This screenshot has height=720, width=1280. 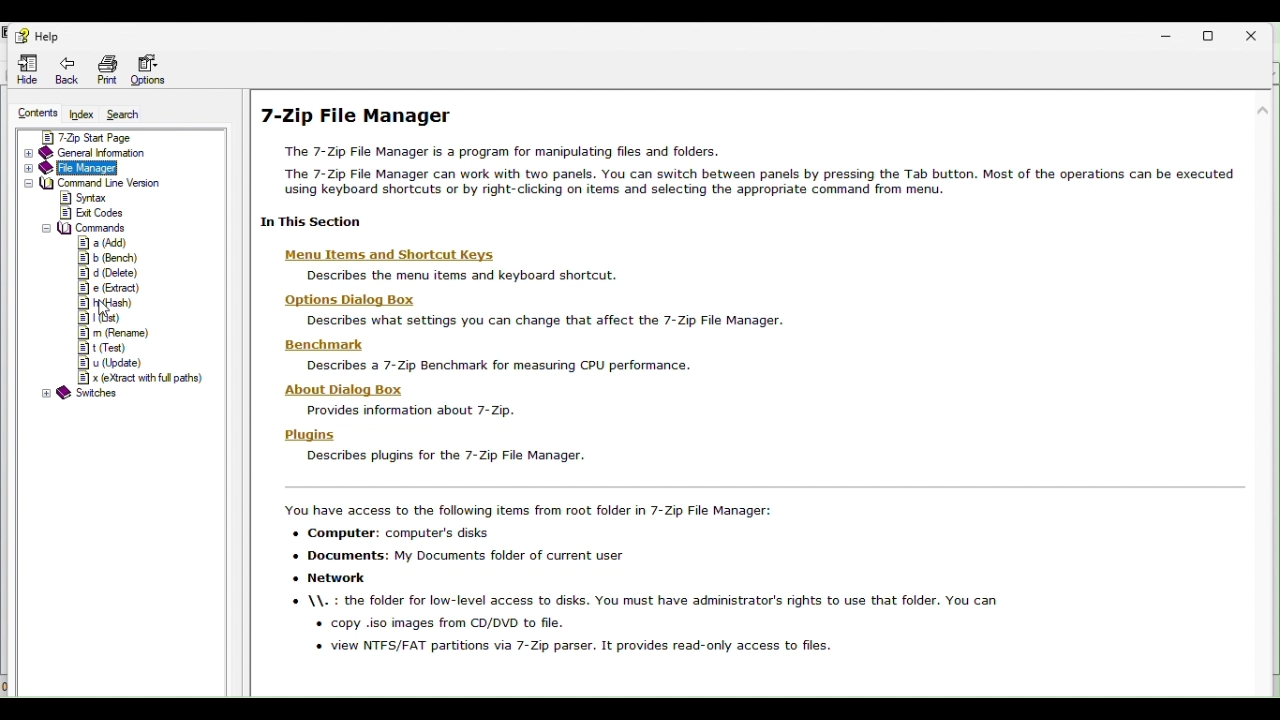 I want to click on l(list), so click(x=99, y=316).